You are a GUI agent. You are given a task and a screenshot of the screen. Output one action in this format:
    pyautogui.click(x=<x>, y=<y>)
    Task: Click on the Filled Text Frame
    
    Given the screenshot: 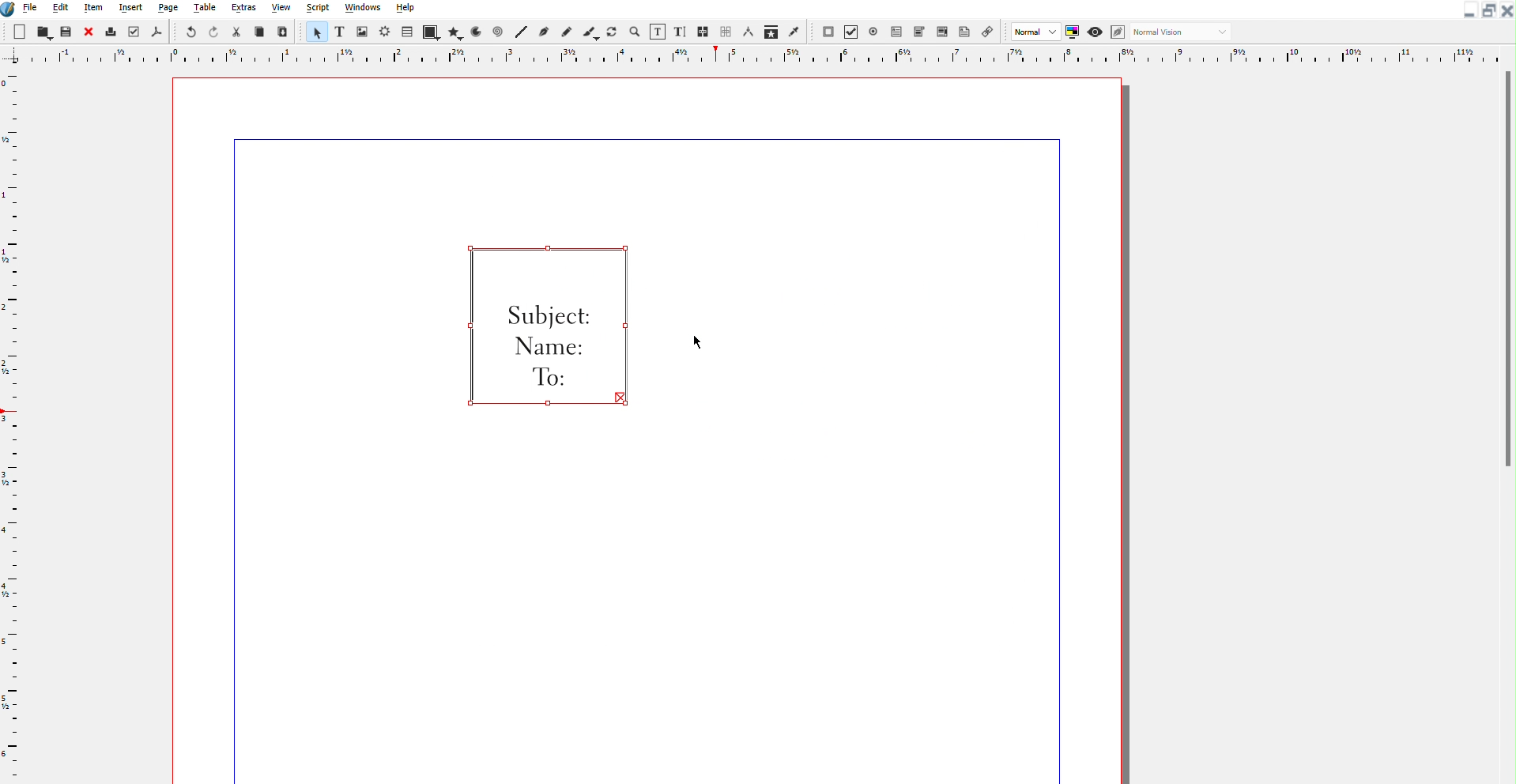 What is the action you would take?
    pyautogui.click(x=545, y=326)
    